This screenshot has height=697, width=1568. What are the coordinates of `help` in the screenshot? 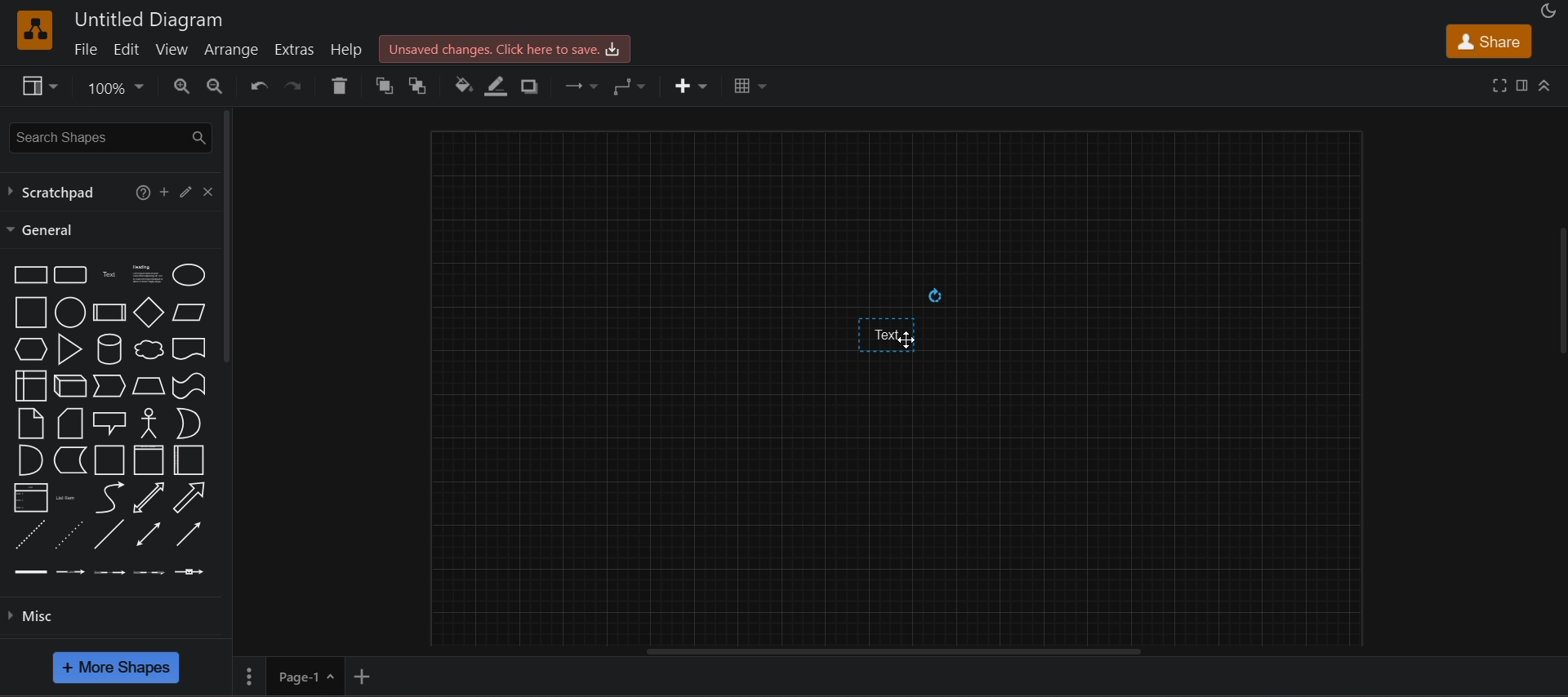 It's located at (142, 193).